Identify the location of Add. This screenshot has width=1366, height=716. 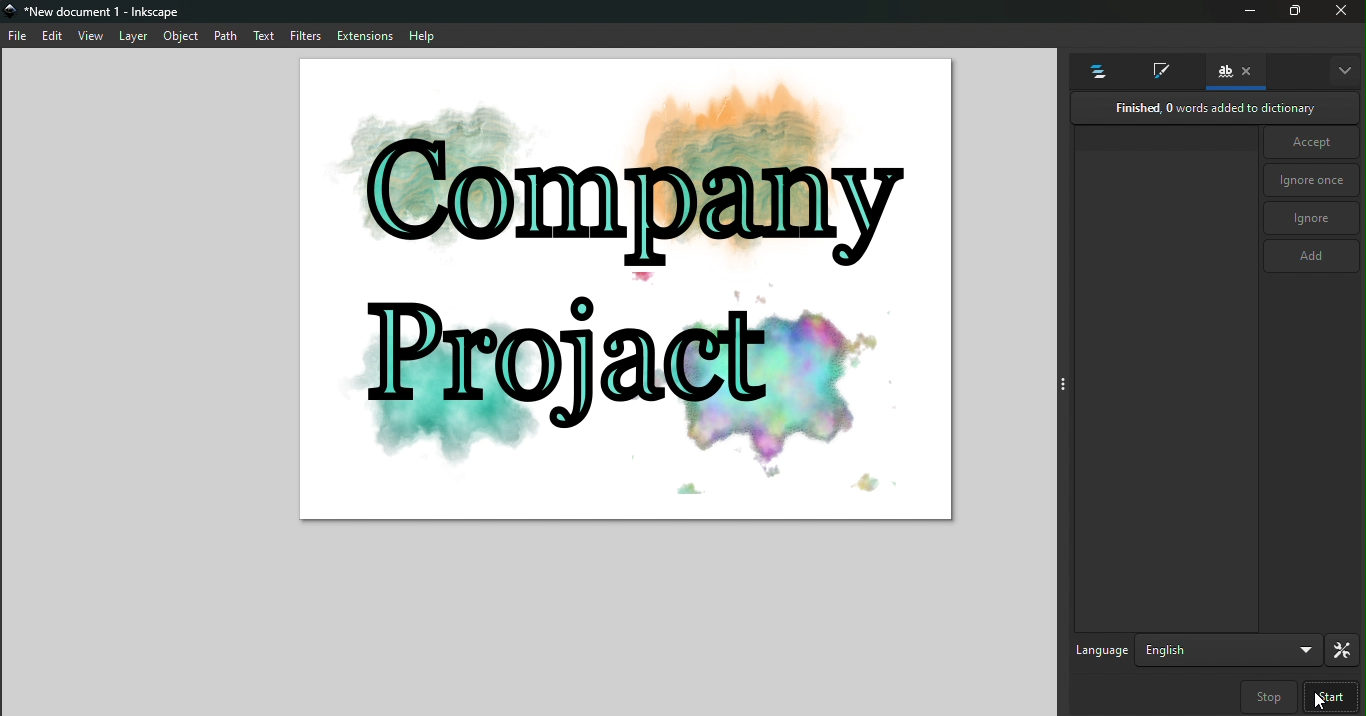
(1309, 257).